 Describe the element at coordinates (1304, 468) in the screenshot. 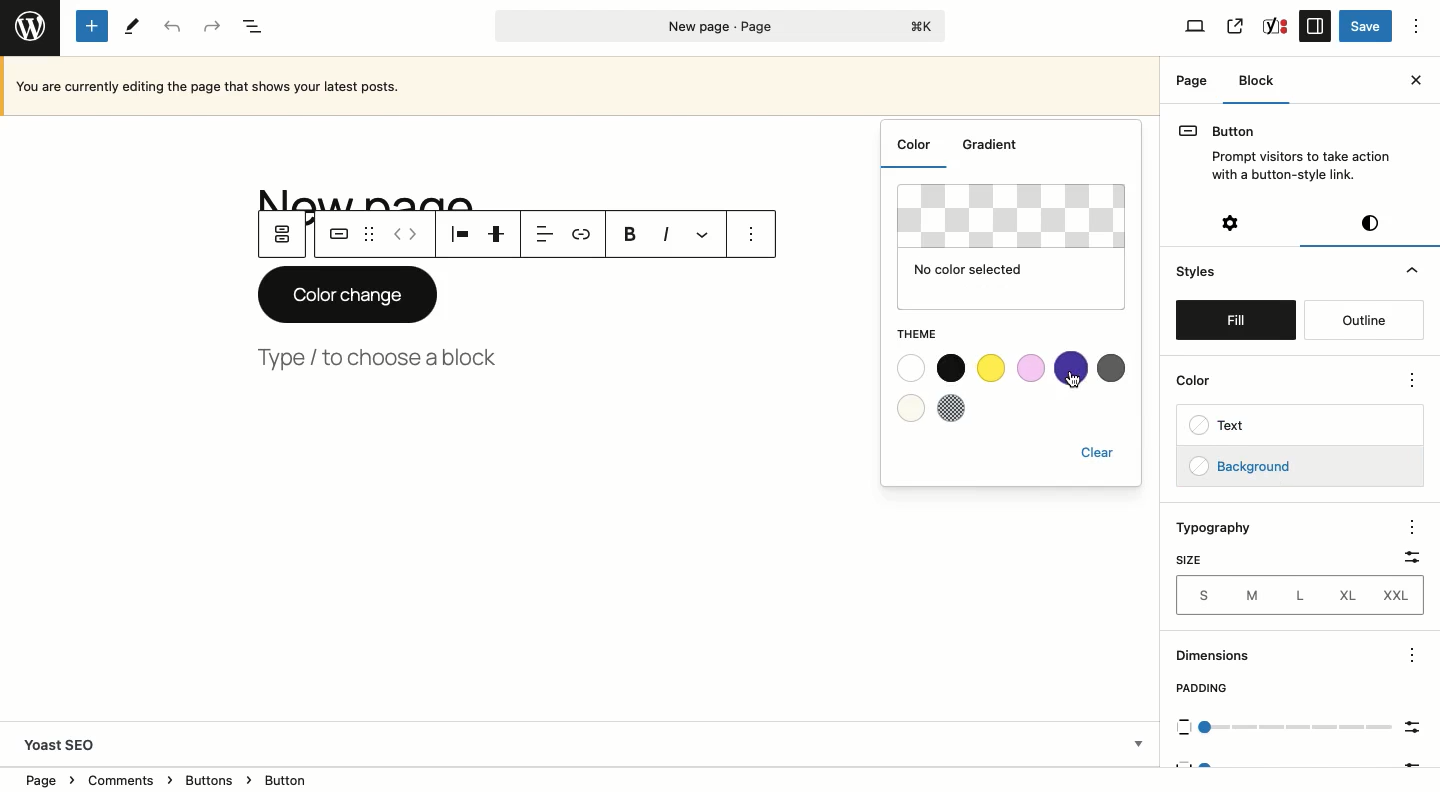

I see `Background` at that location.